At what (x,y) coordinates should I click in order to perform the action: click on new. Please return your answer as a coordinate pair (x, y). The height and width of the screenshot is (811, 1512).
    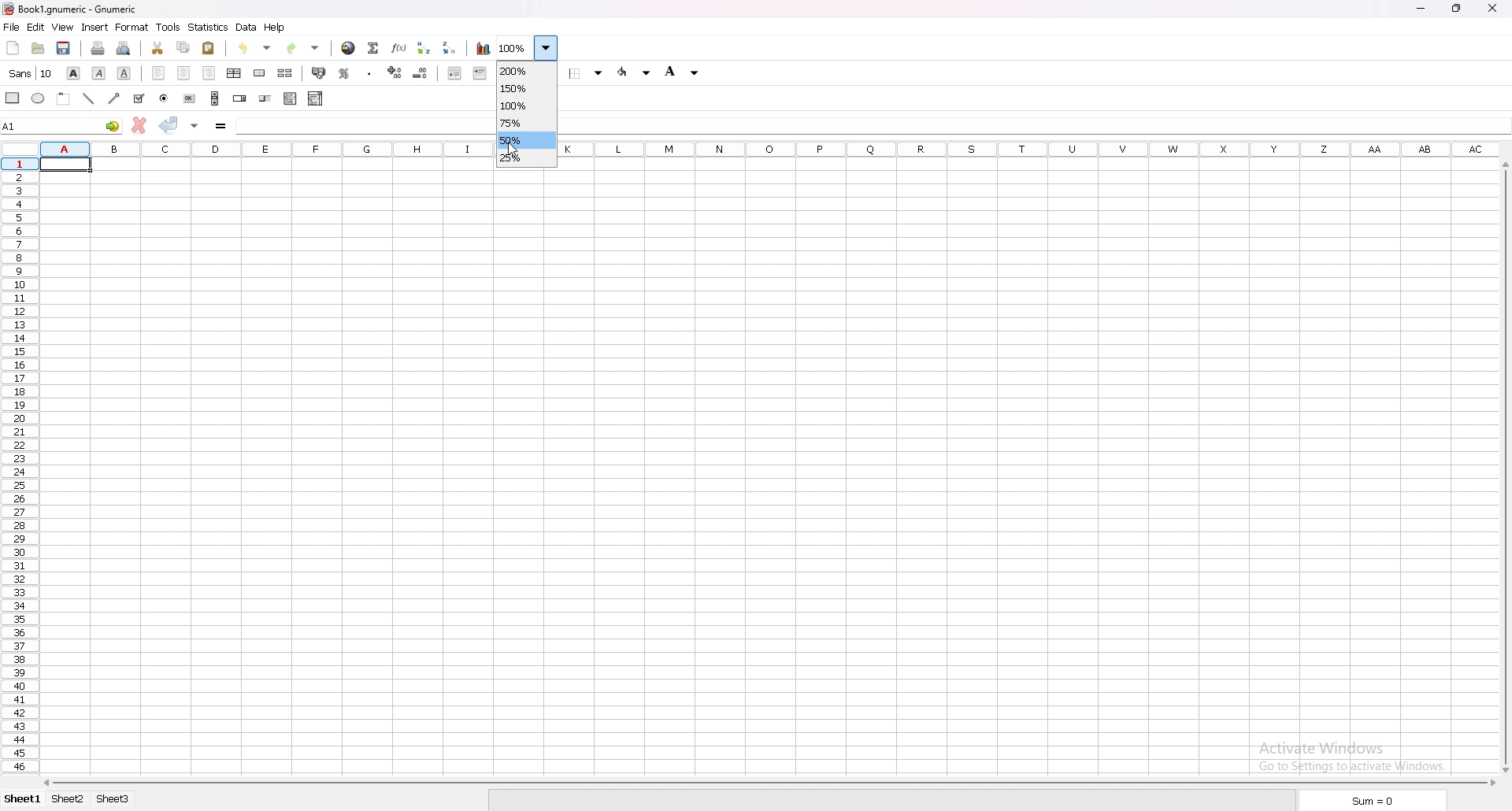
    Looking at the image, I should click on (13, 47).